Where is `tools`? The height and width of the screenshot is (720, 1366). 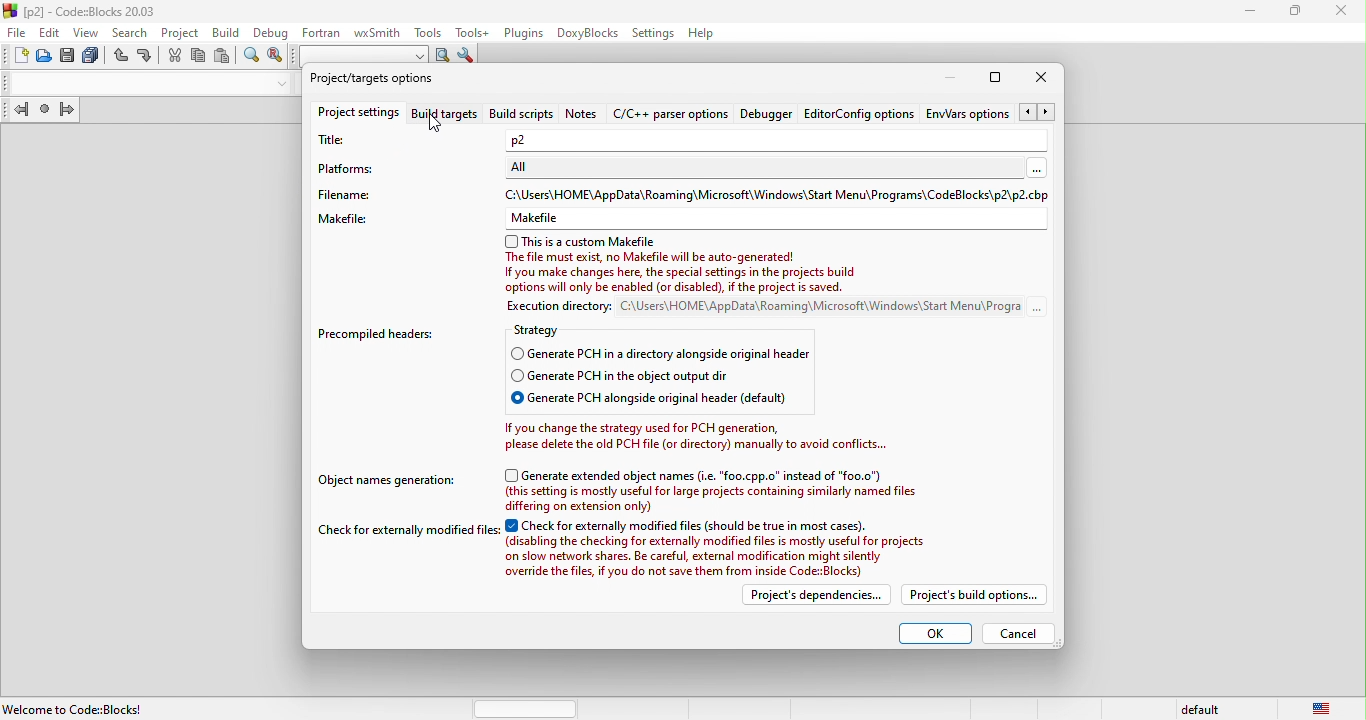
tools is located at coordinates (425, 31).